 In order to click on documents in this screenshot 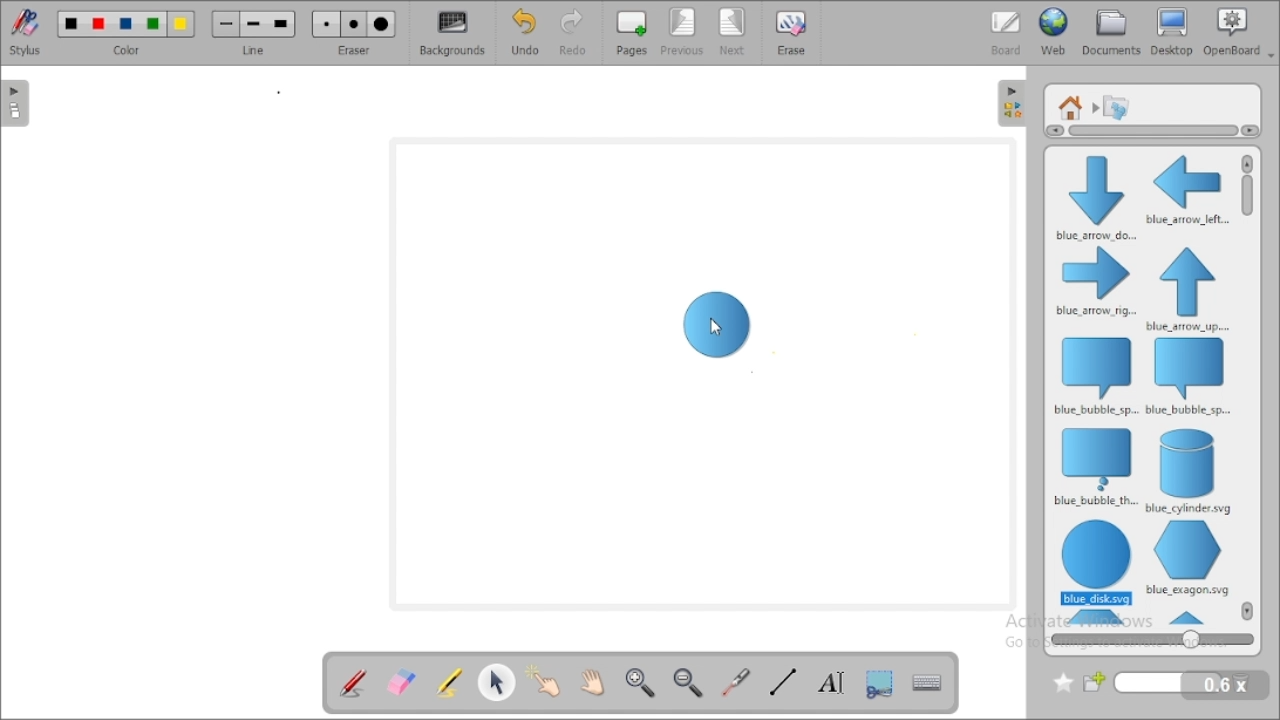, I will do `click(1112, 32)`.